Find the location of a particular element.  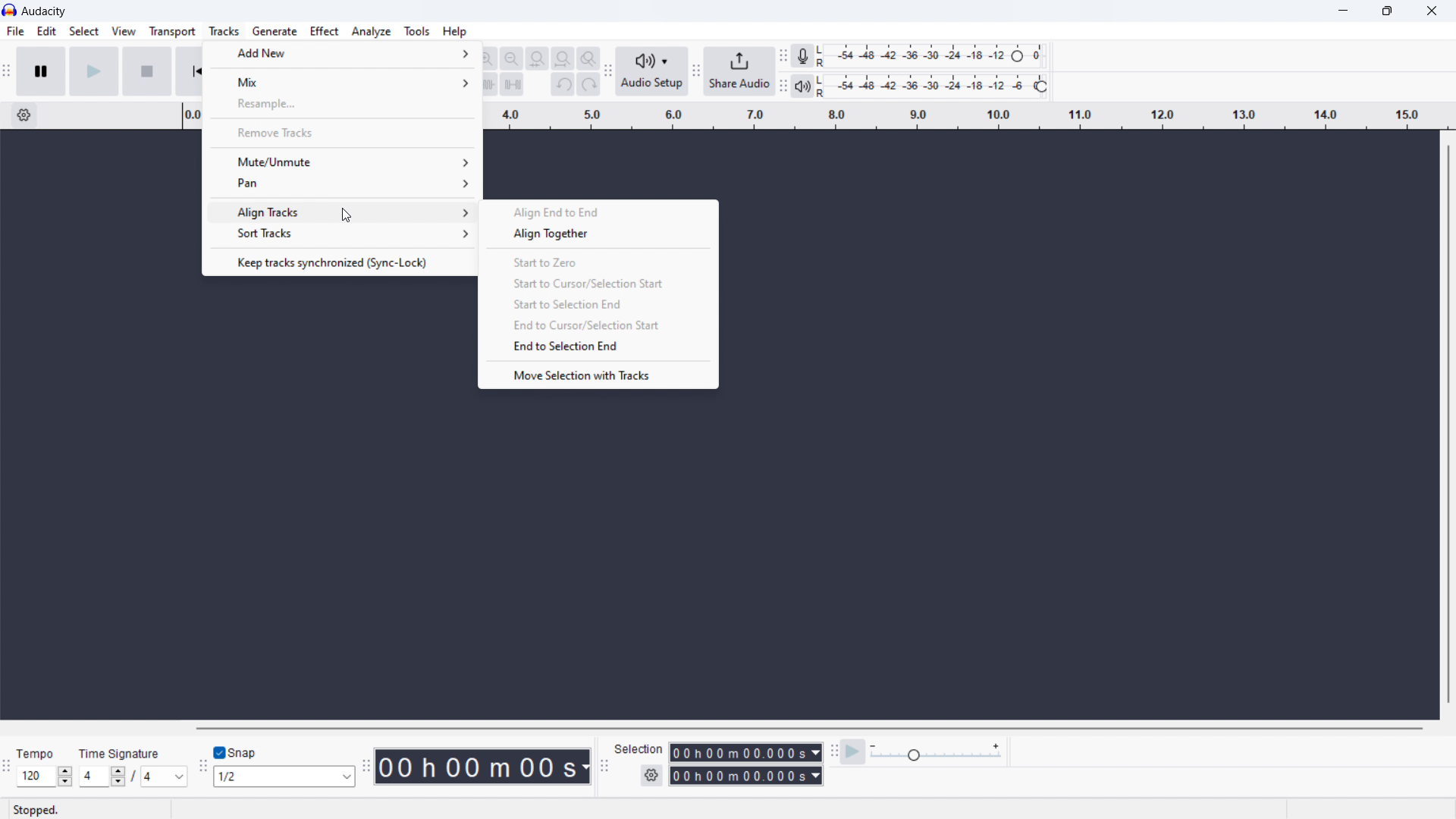

selection toolbar is located at coordinates (605, 767).